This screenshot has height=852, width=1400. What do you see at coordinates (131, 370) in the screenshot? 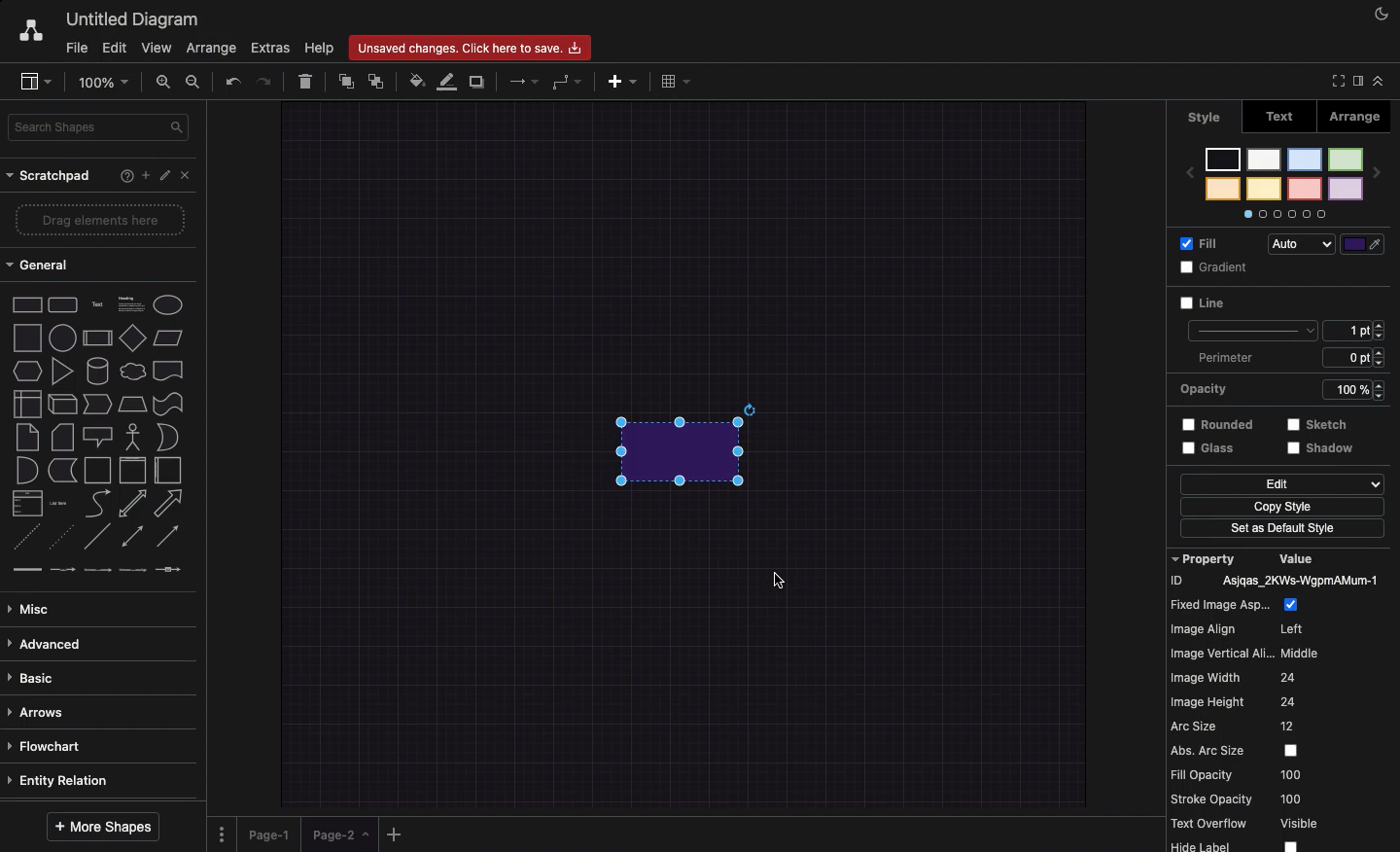
I see `cloud` at bounding box center [131, 370].